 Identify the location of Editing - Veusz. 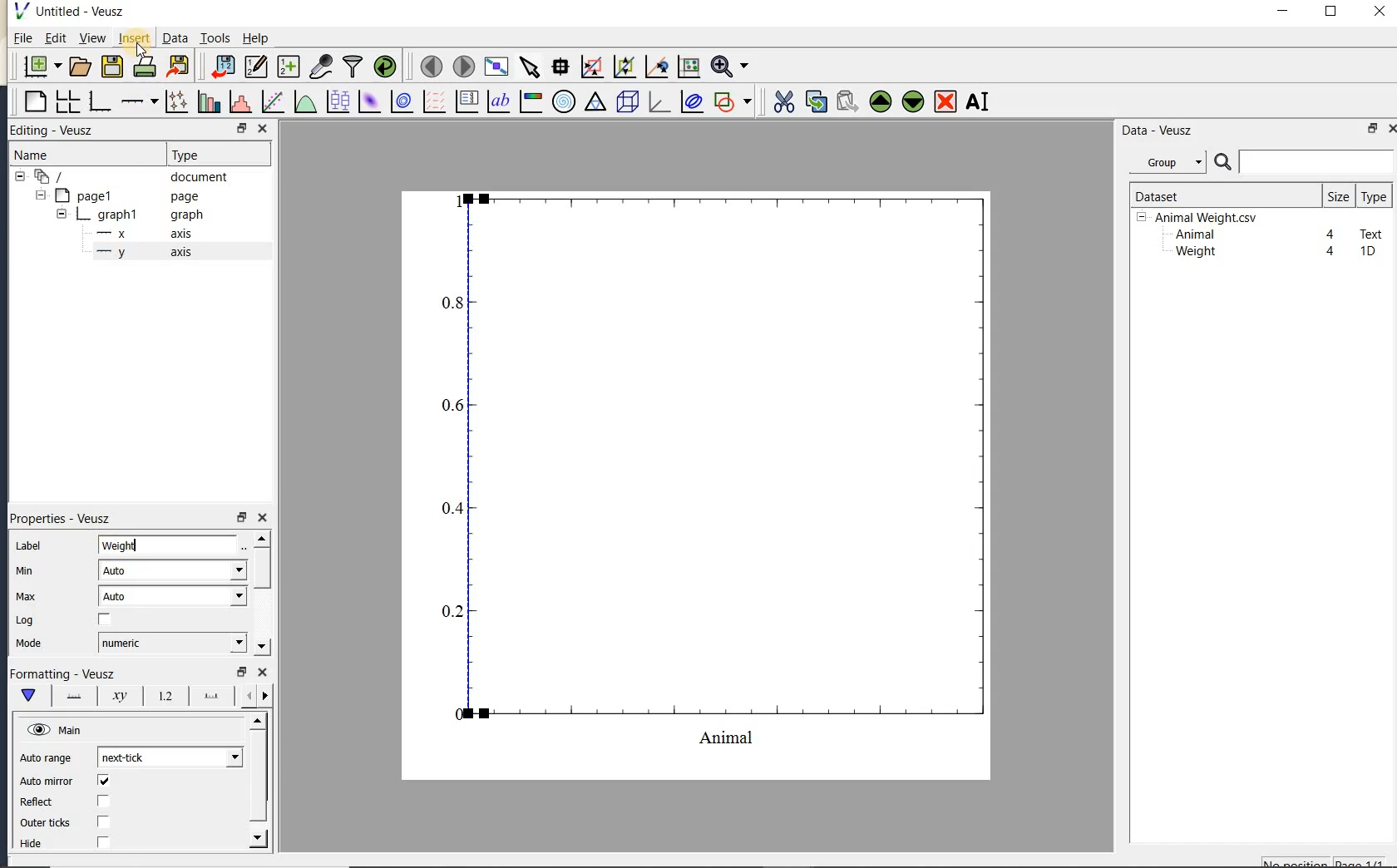
(61, 131).